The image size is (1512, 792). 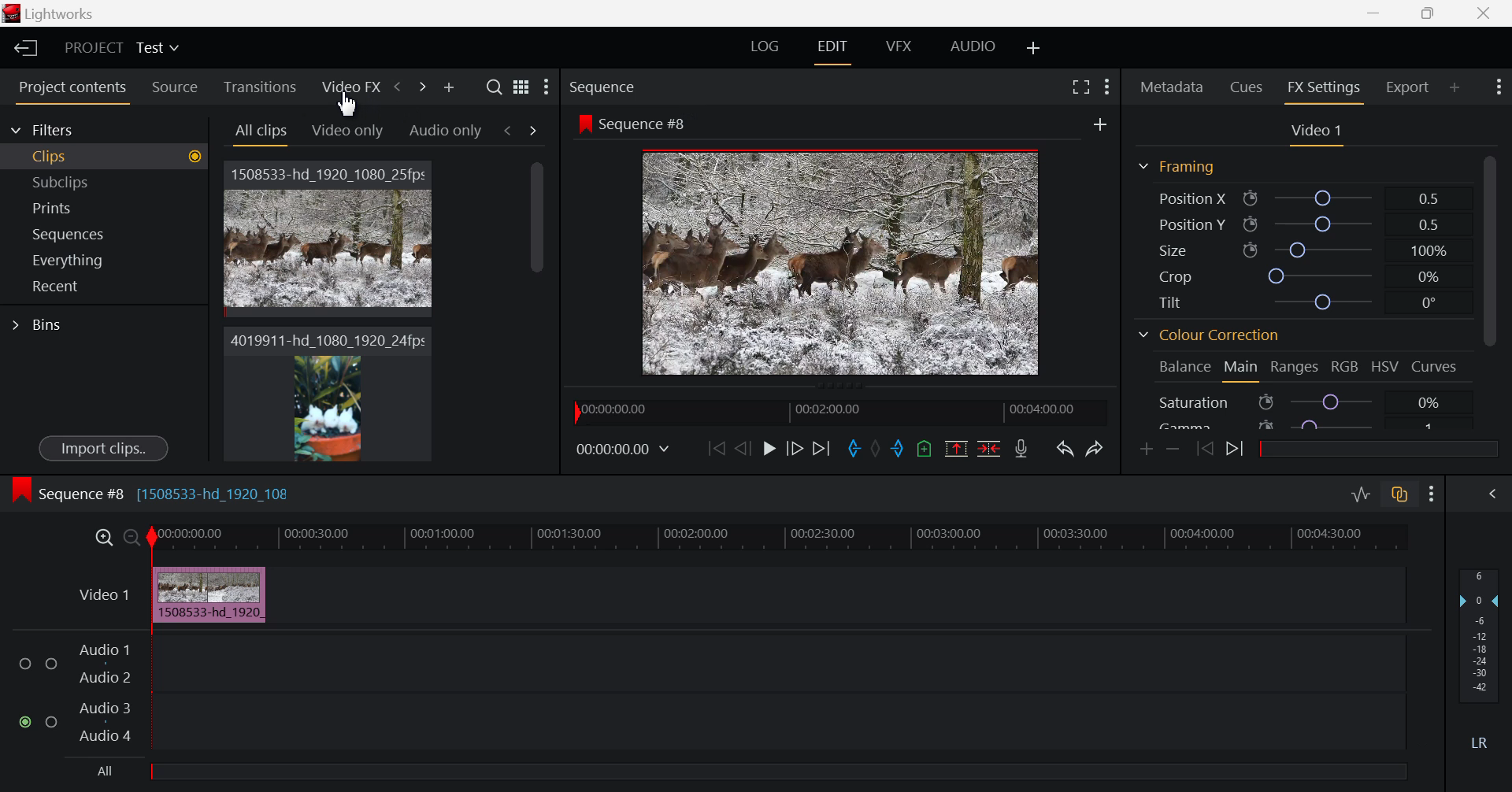 What do you see at coordinates (1493, 291) in the screenshot?
I see `Scroll Bar` at bounding box center [1493, 291].